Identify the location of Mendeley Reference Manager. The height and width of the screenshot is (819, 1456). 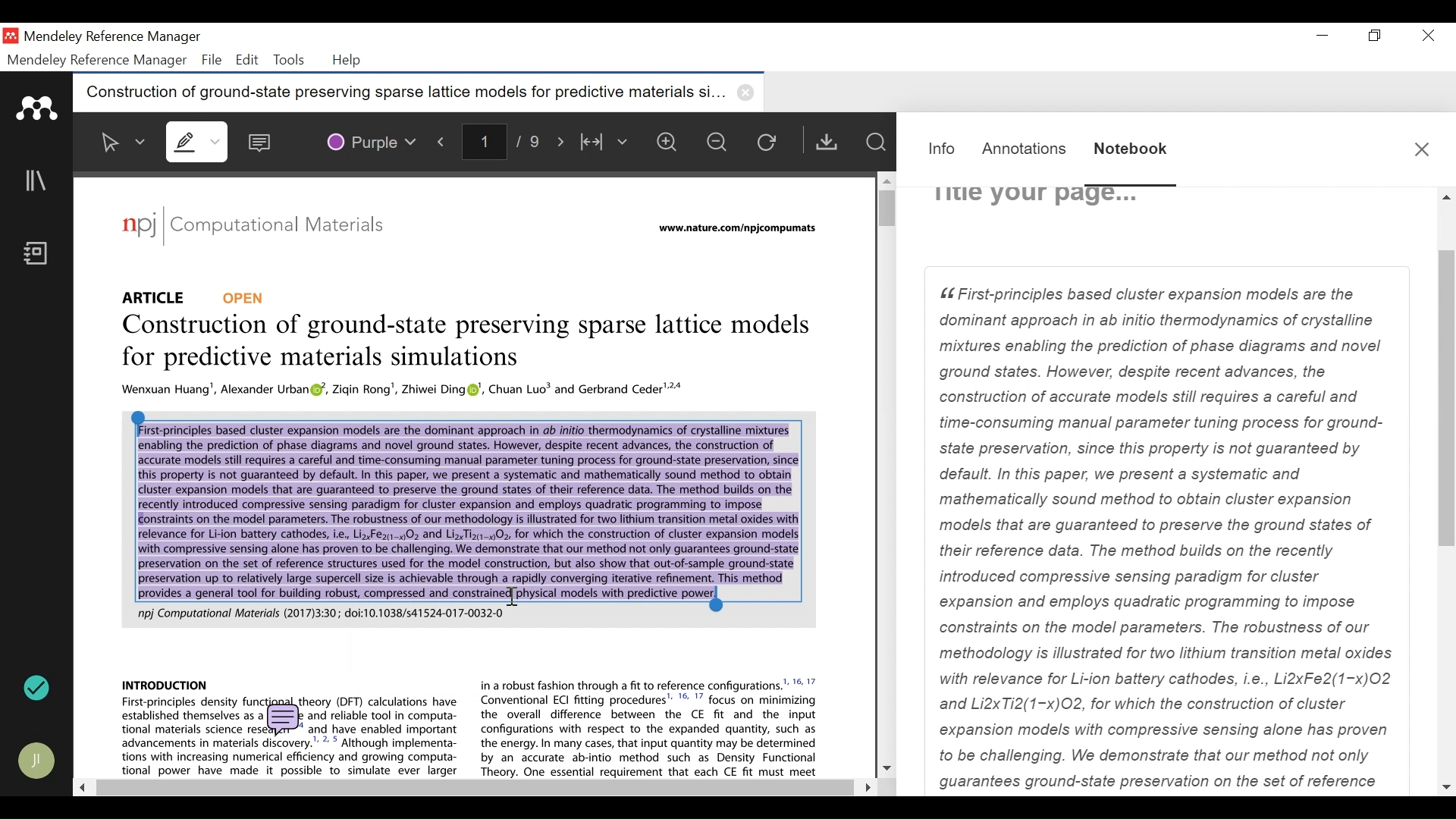
(111, 39).